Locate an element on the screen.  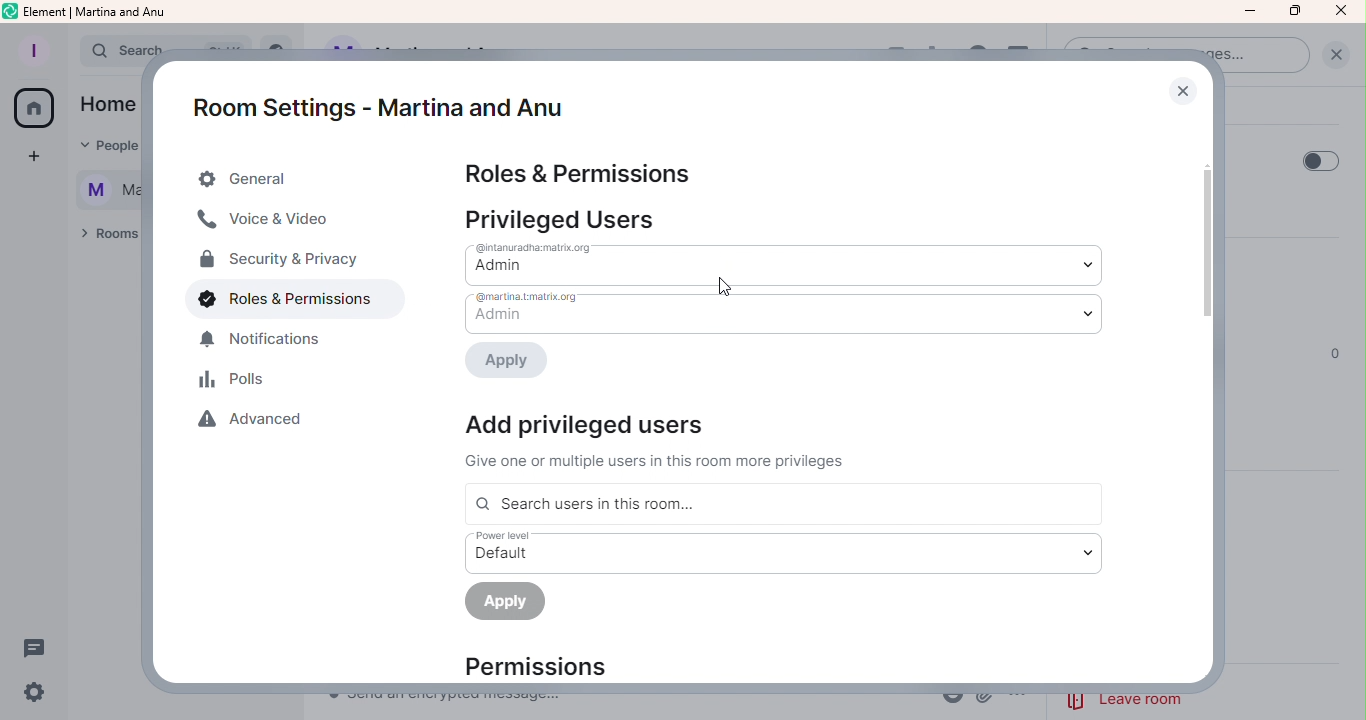
Add privileged users is located at coordinates (669, 441).